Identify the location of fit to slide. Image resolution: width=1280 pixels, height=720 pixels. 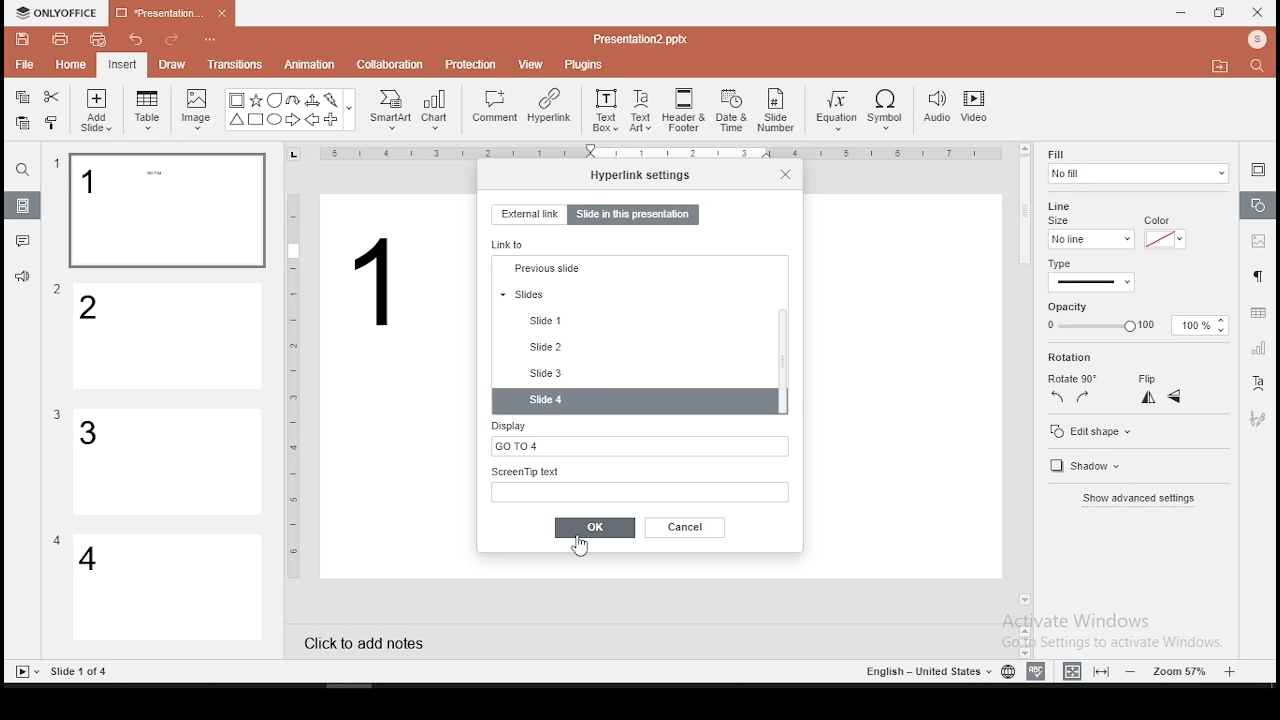
(1104, 670).